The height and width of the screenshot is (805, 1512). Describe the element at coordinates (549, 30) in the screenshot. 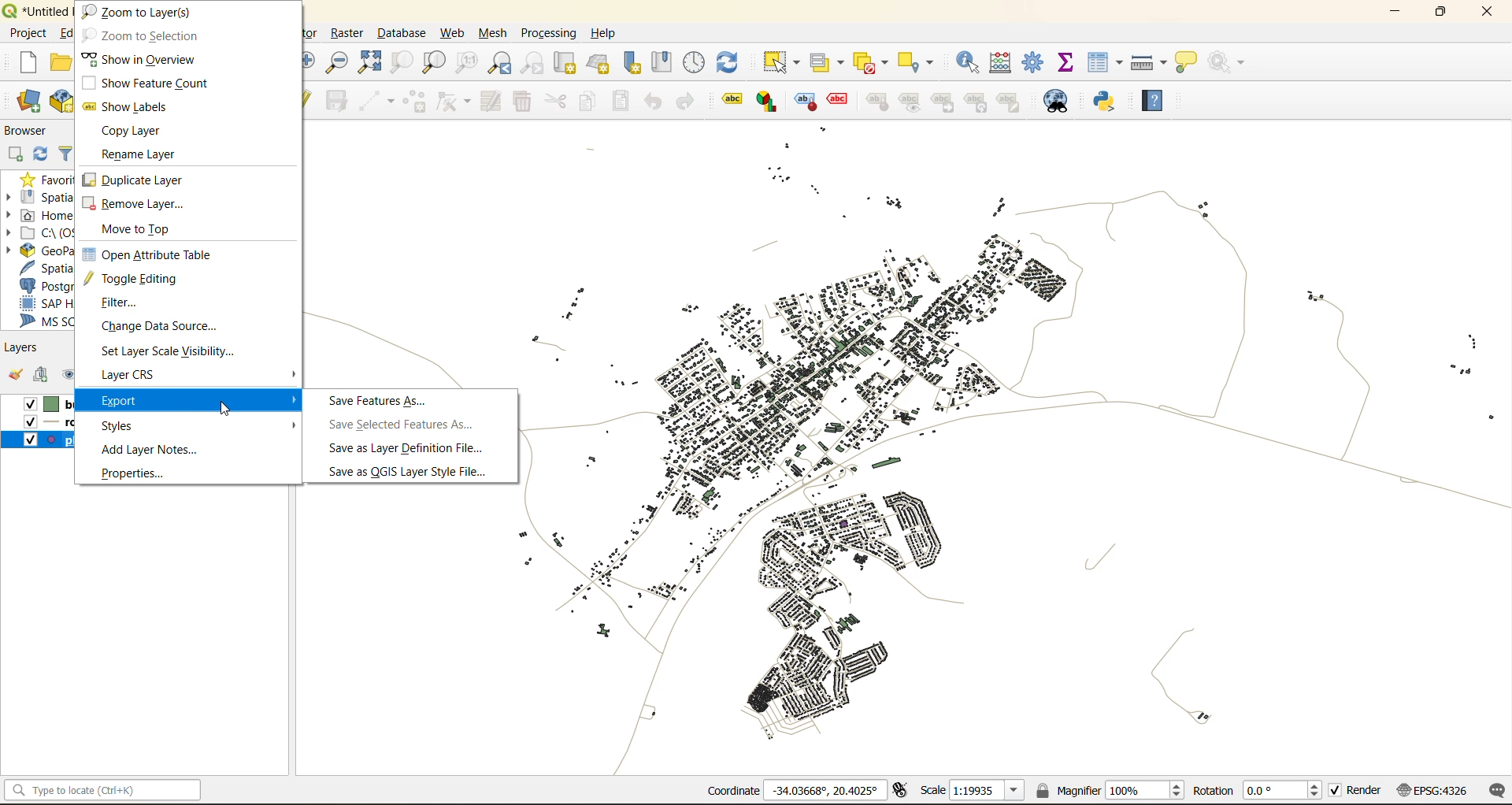

I see `processing` at that location.